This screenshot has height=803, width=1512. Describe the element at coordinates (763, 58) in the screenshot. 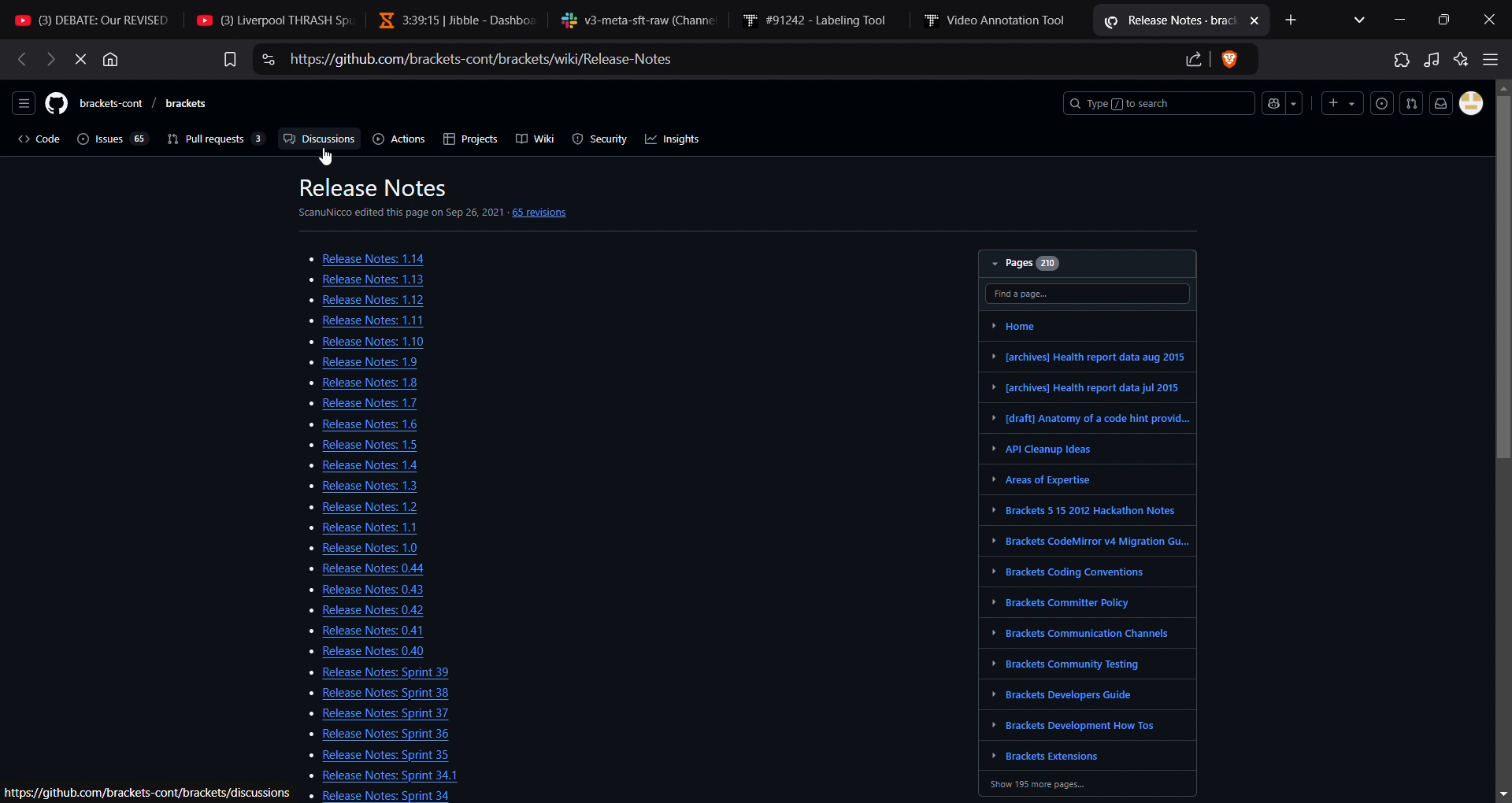

I see `  https://github.com/brackets-cont/brackets/wiki/Release-Notes ` at that location.